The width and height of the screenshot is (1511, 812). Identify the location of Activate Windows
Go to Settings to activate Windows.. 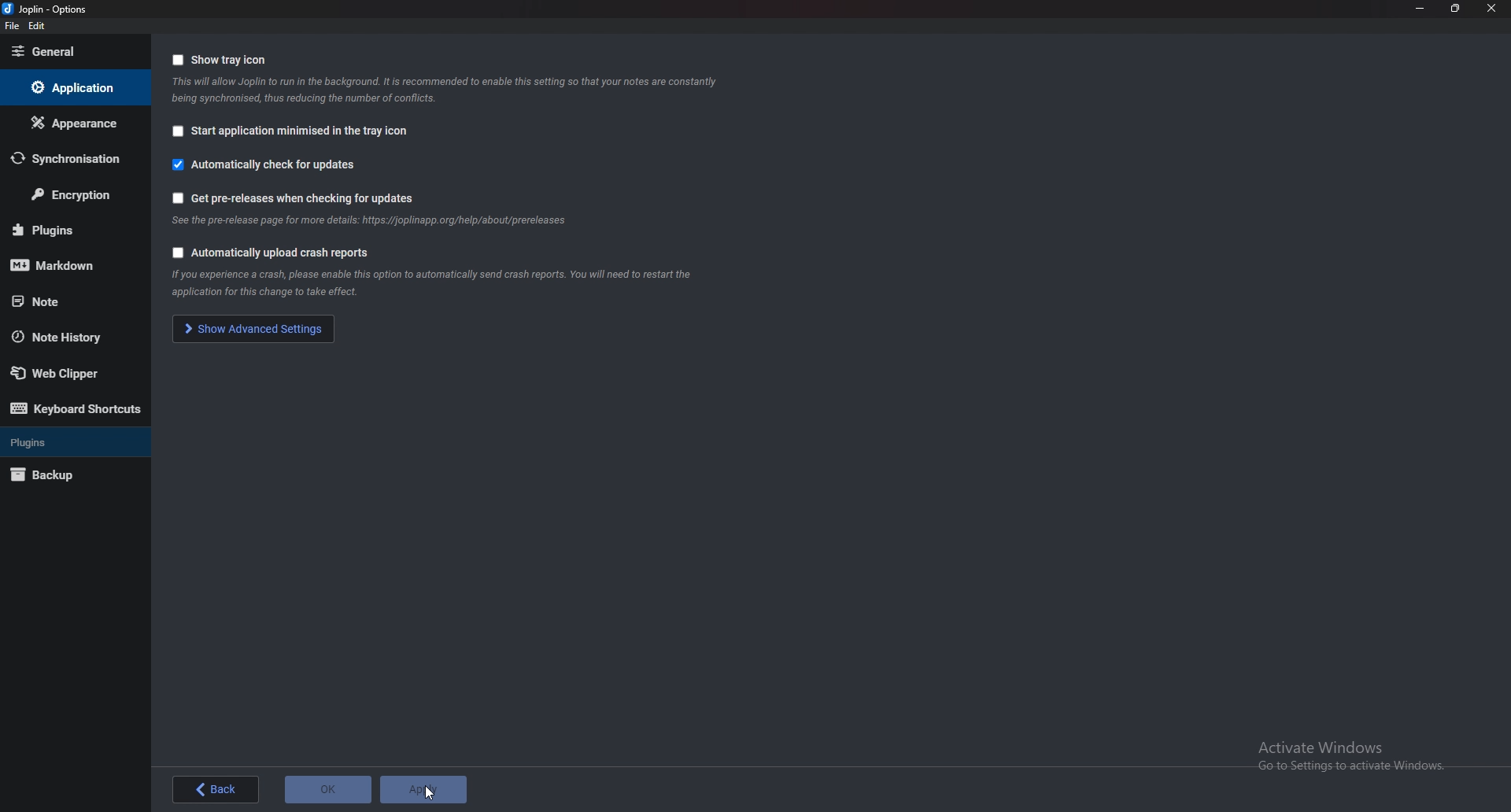
(1354, 756).